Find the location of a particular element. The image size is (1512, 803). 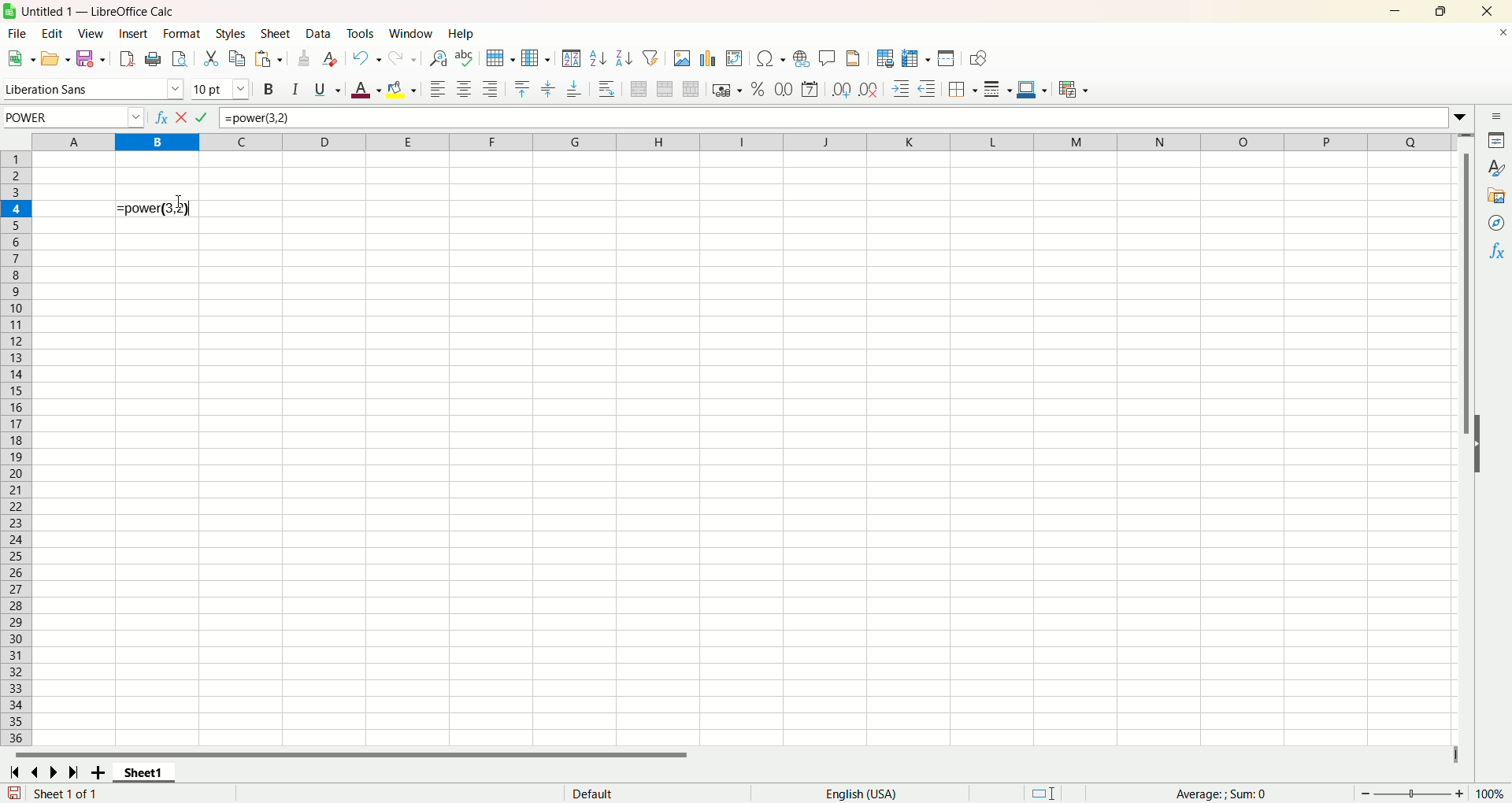

last sheet is located at coordinates (76, 772).